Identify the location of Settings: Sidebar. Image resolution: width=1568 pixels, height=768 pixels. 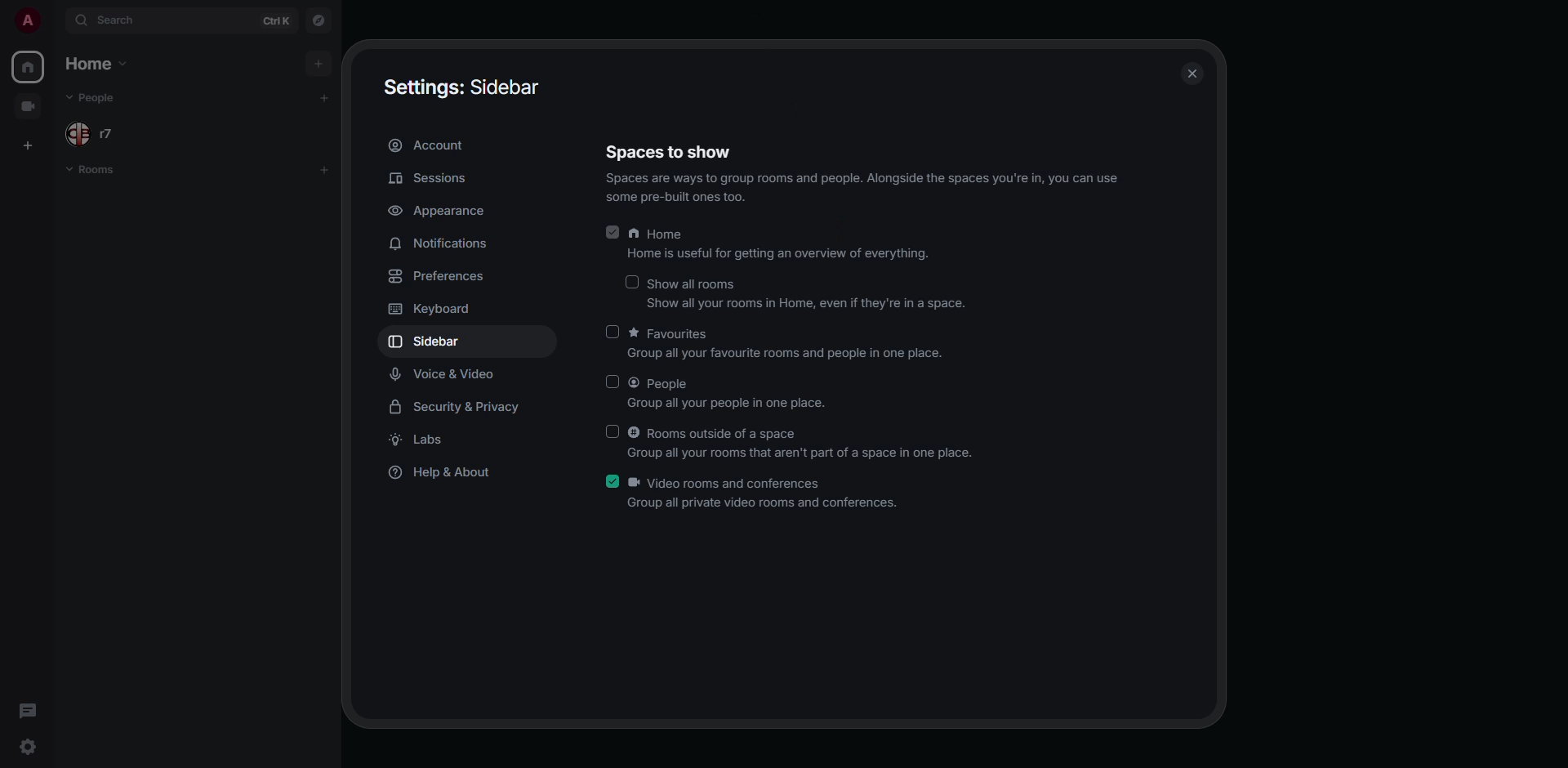
(463, 87).